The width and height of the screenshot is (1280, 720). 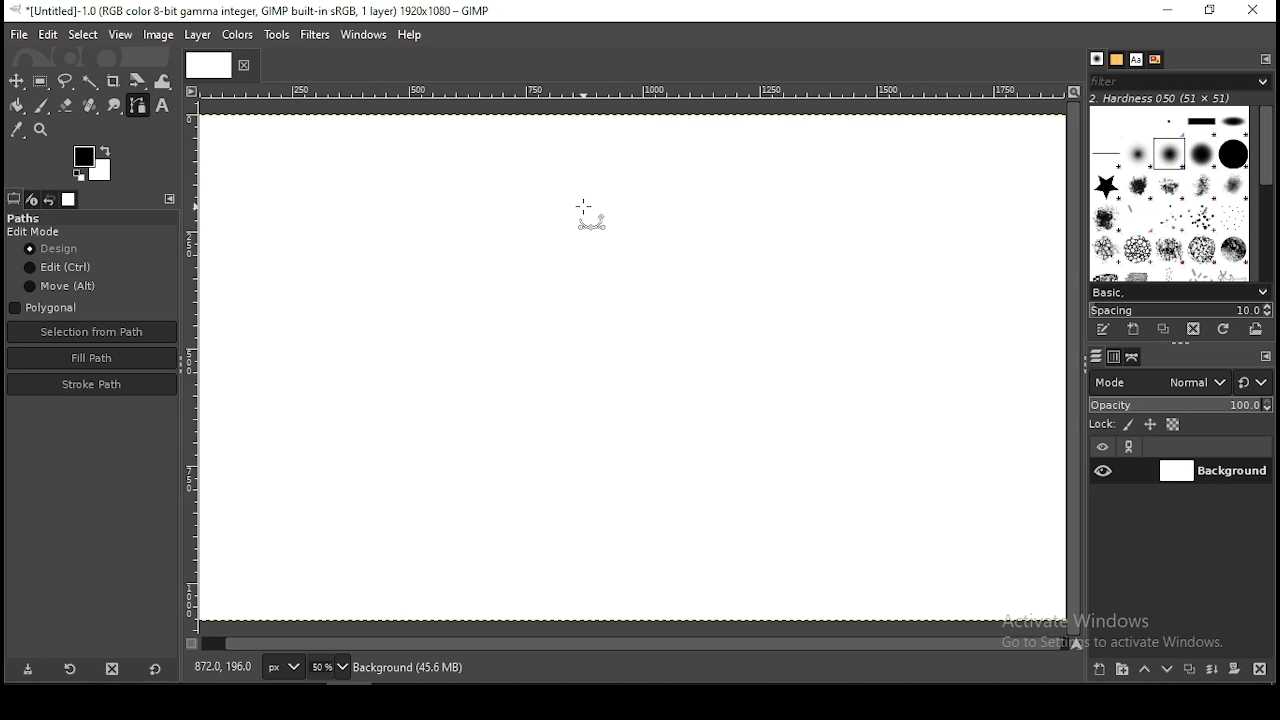 What do you see at coordinates (90, 332) in the screenshot?
I see `selection from path` at bounding box center [90, 332].